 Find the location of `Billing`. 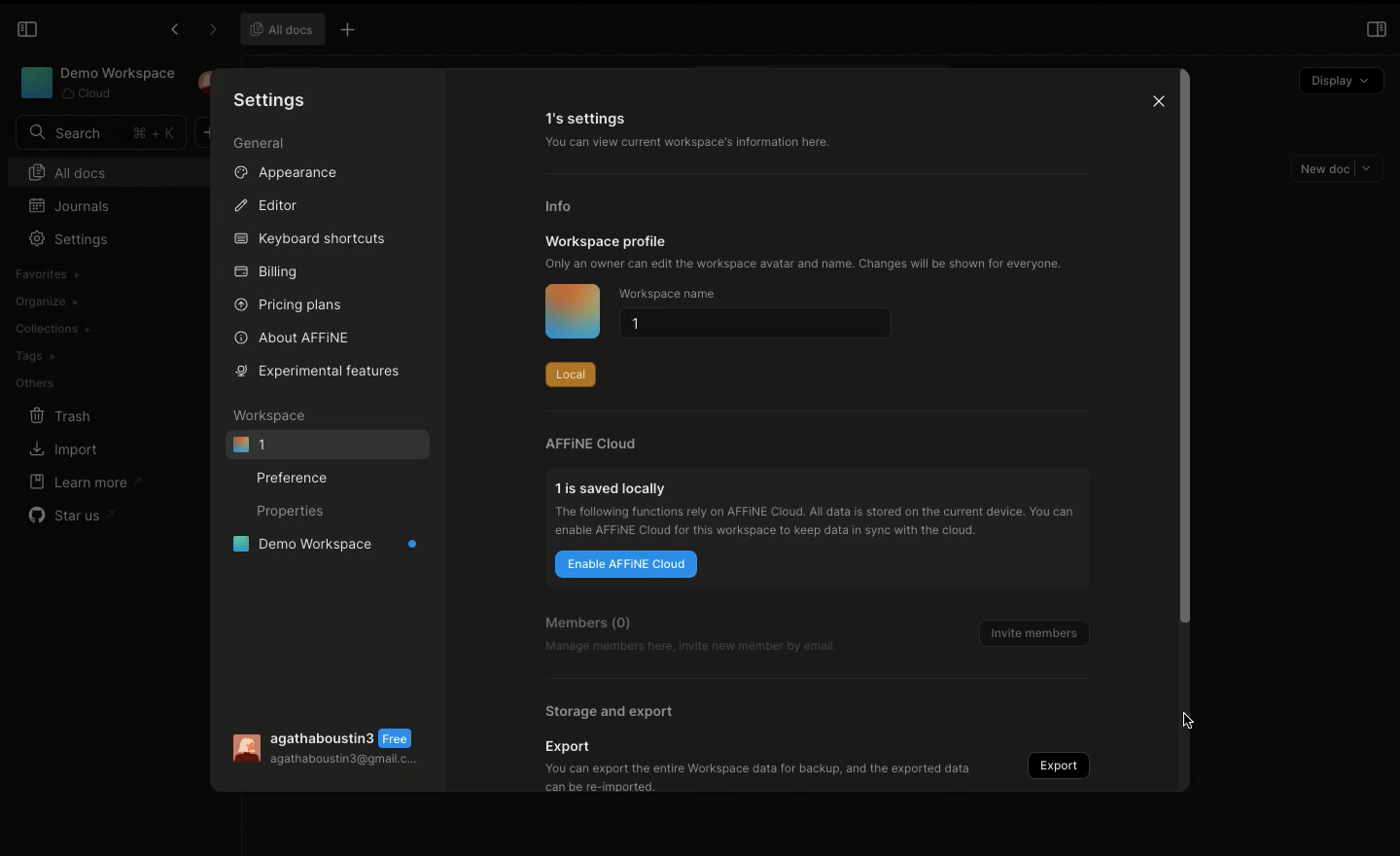

Billing is located at coordinates (267, 272).